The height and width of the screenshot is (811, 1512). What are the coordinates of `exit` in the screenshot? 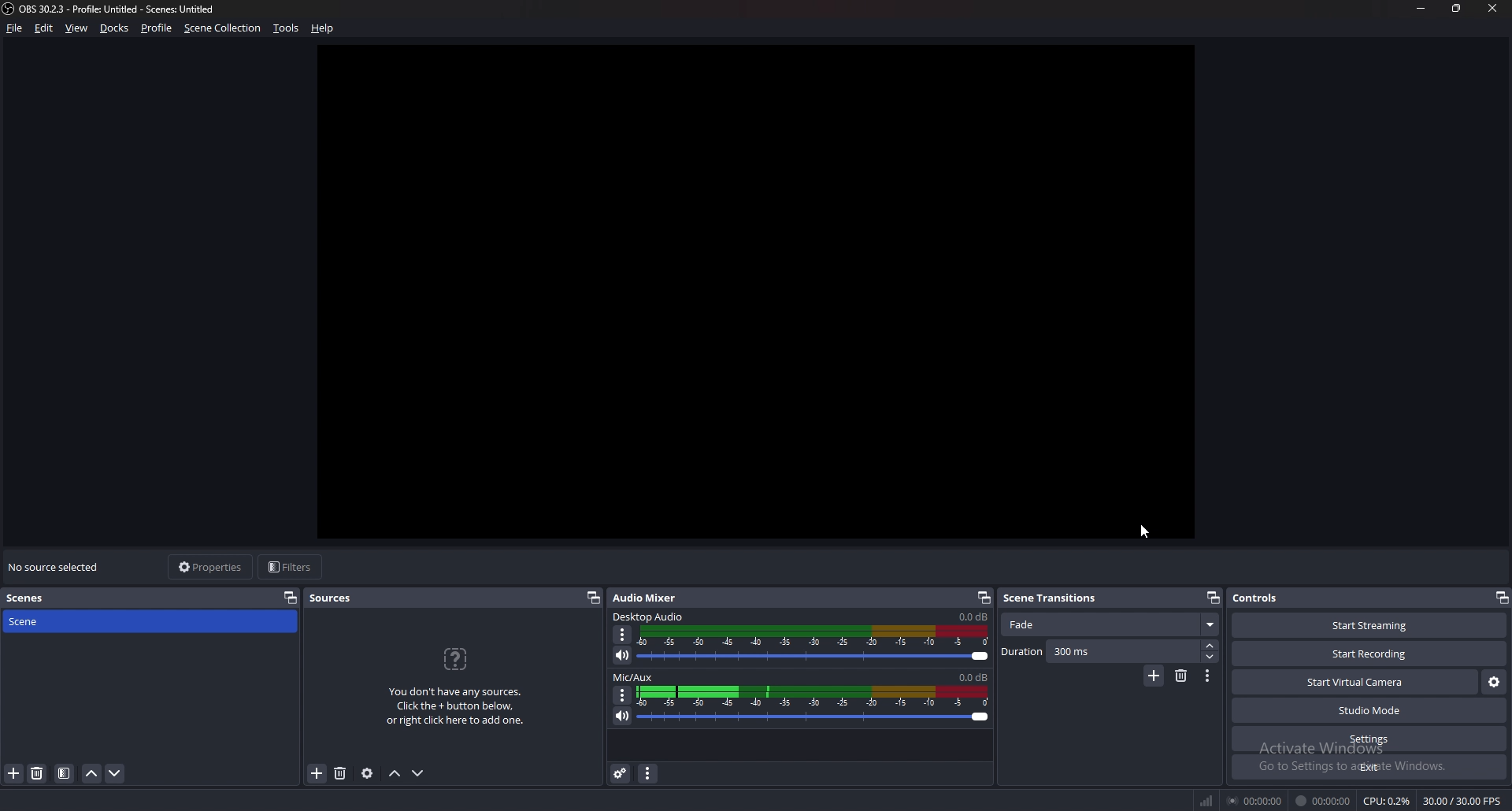 It's located at (1369, 768).